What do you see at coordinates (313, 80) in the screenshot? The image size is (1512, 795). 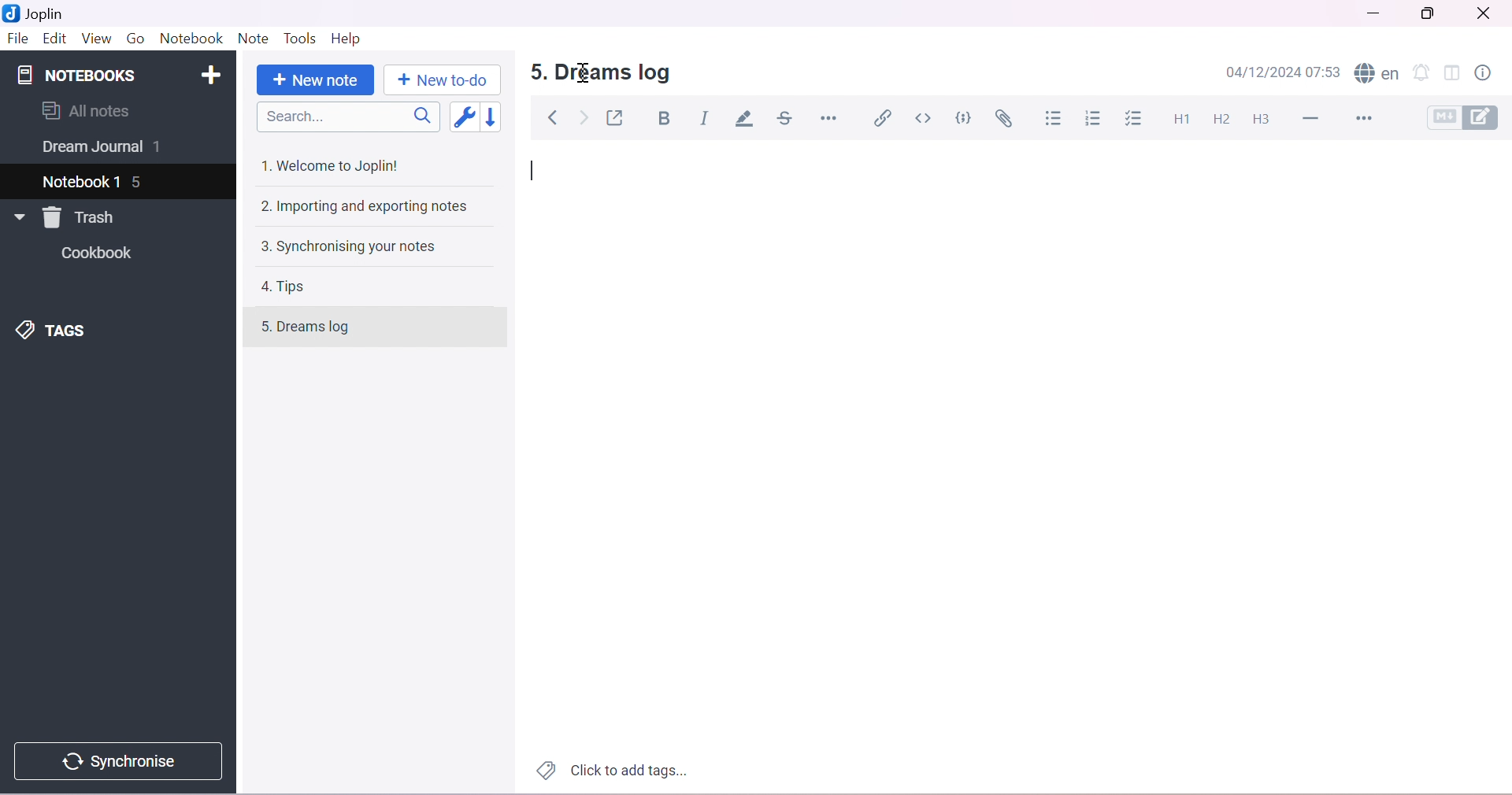 I see `New note` at bounding box center [313, 80].